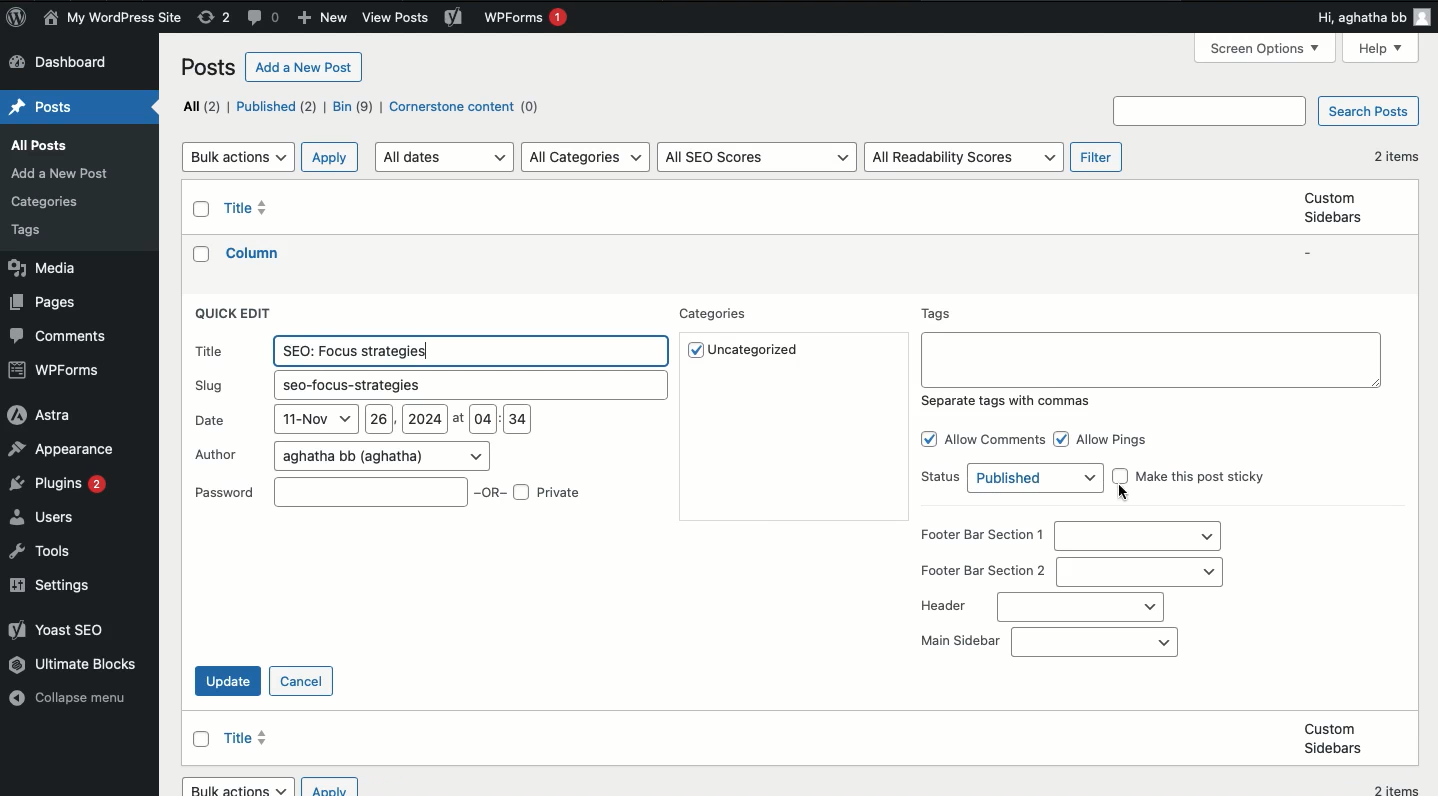 Image resolution: width=1438 pixels, height=796 pixels. What do you see at coordinates (997, 440) in the screenshot?
I see `Allow comments` at bounding box center [997, 440].